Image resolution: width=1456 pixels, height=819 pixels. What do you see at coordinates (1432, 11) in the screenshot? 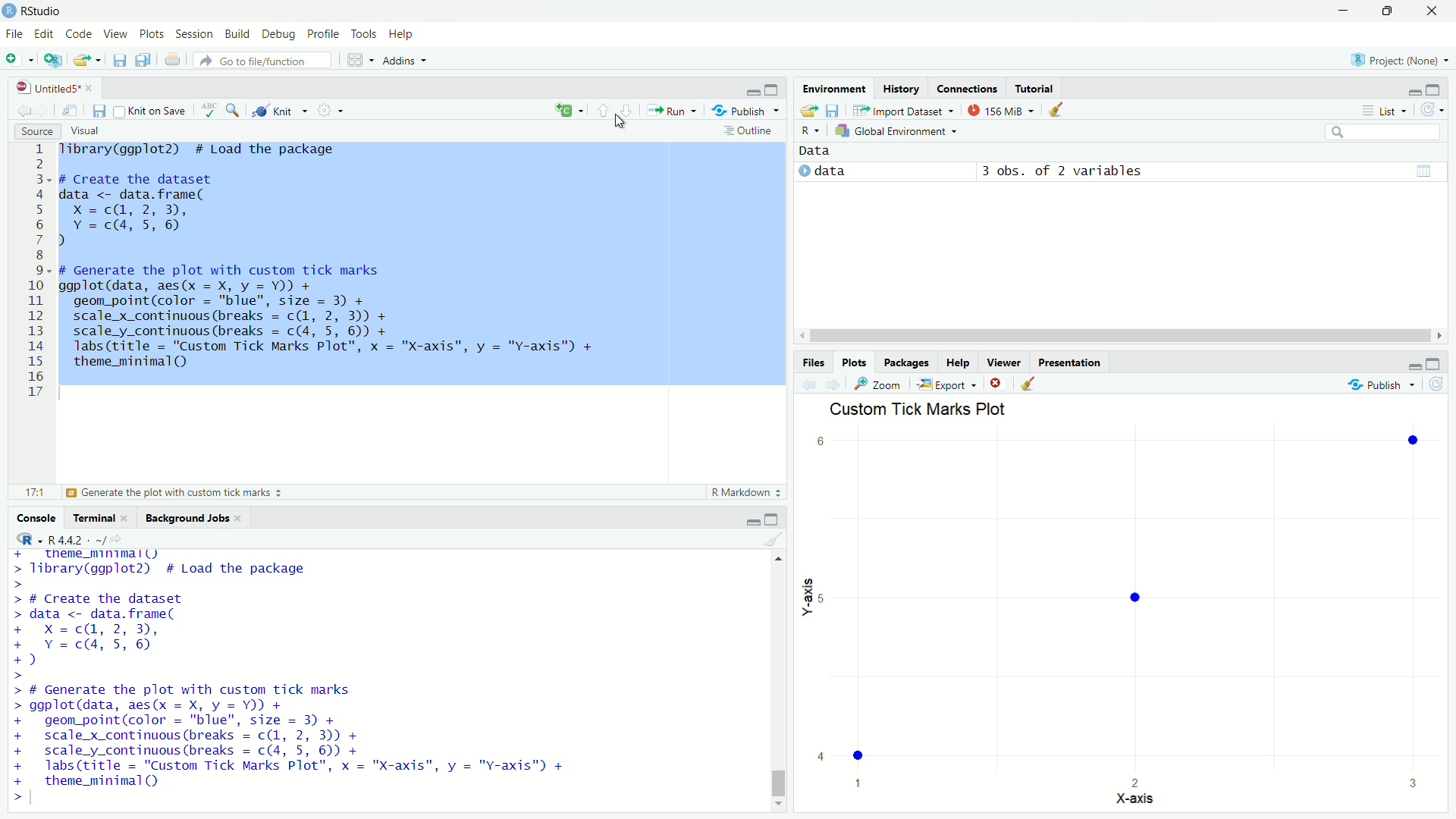
I see `close` at bounding box center [1432, 11].